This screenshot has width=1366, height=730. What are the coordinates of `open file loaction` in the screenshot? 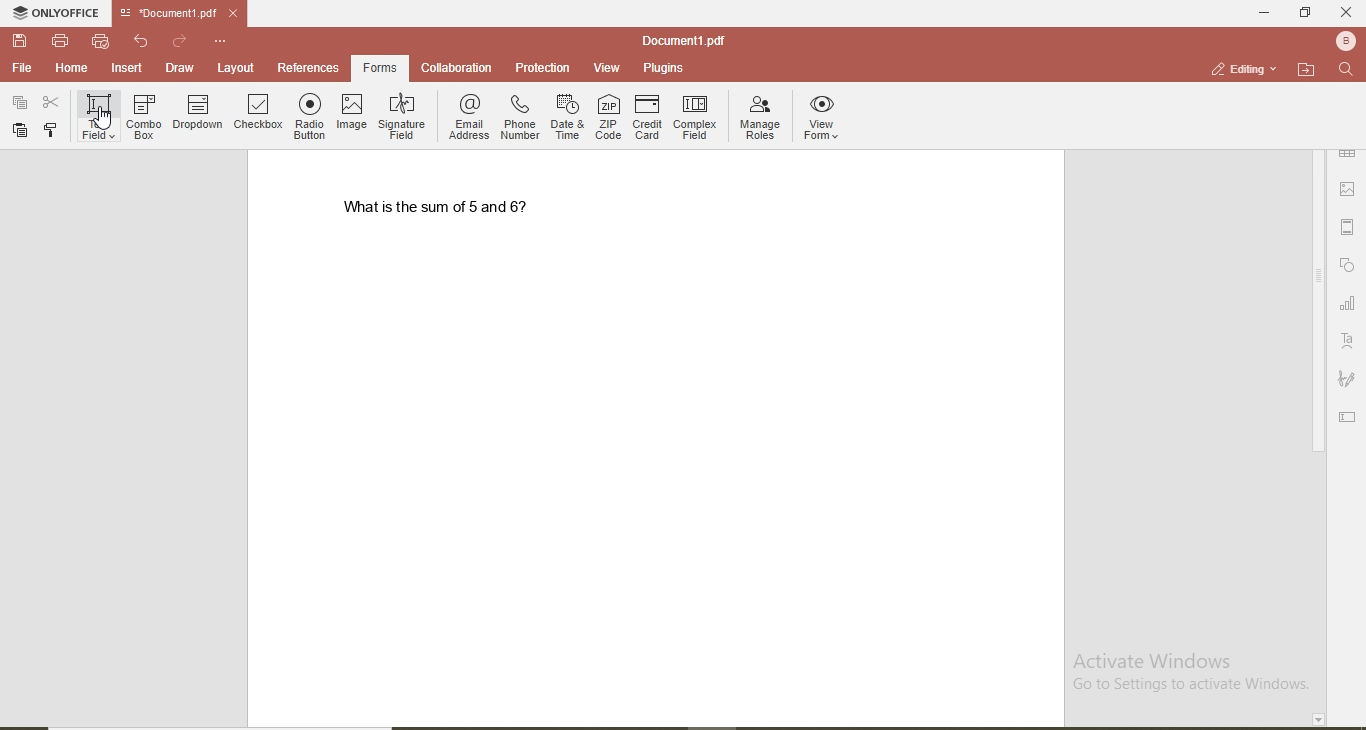 It's located at (1302, 68).